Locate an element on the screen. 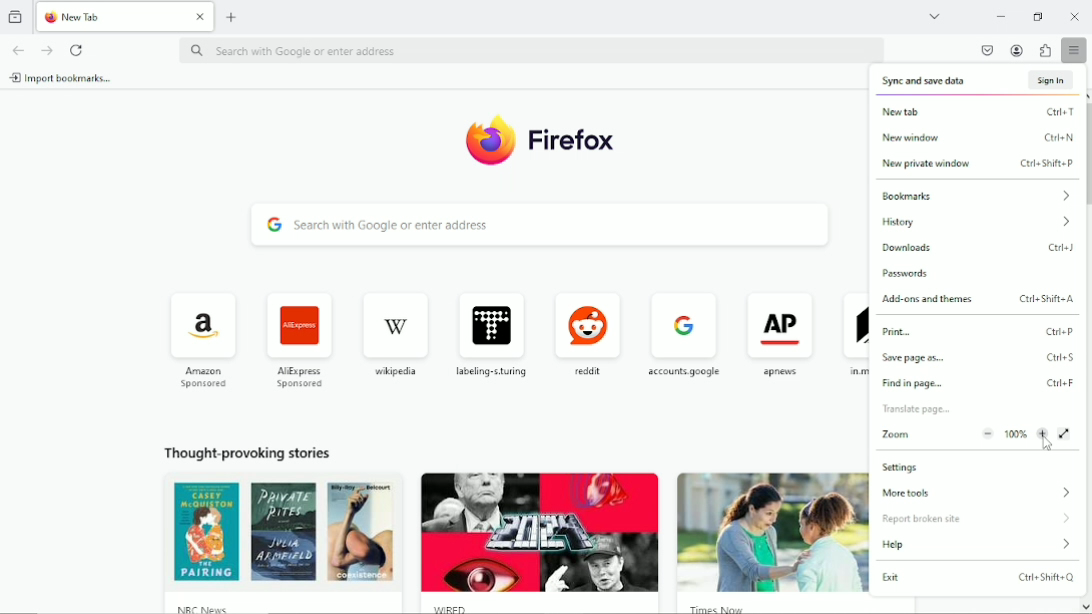  passwords is located at coordinates (905, 273).